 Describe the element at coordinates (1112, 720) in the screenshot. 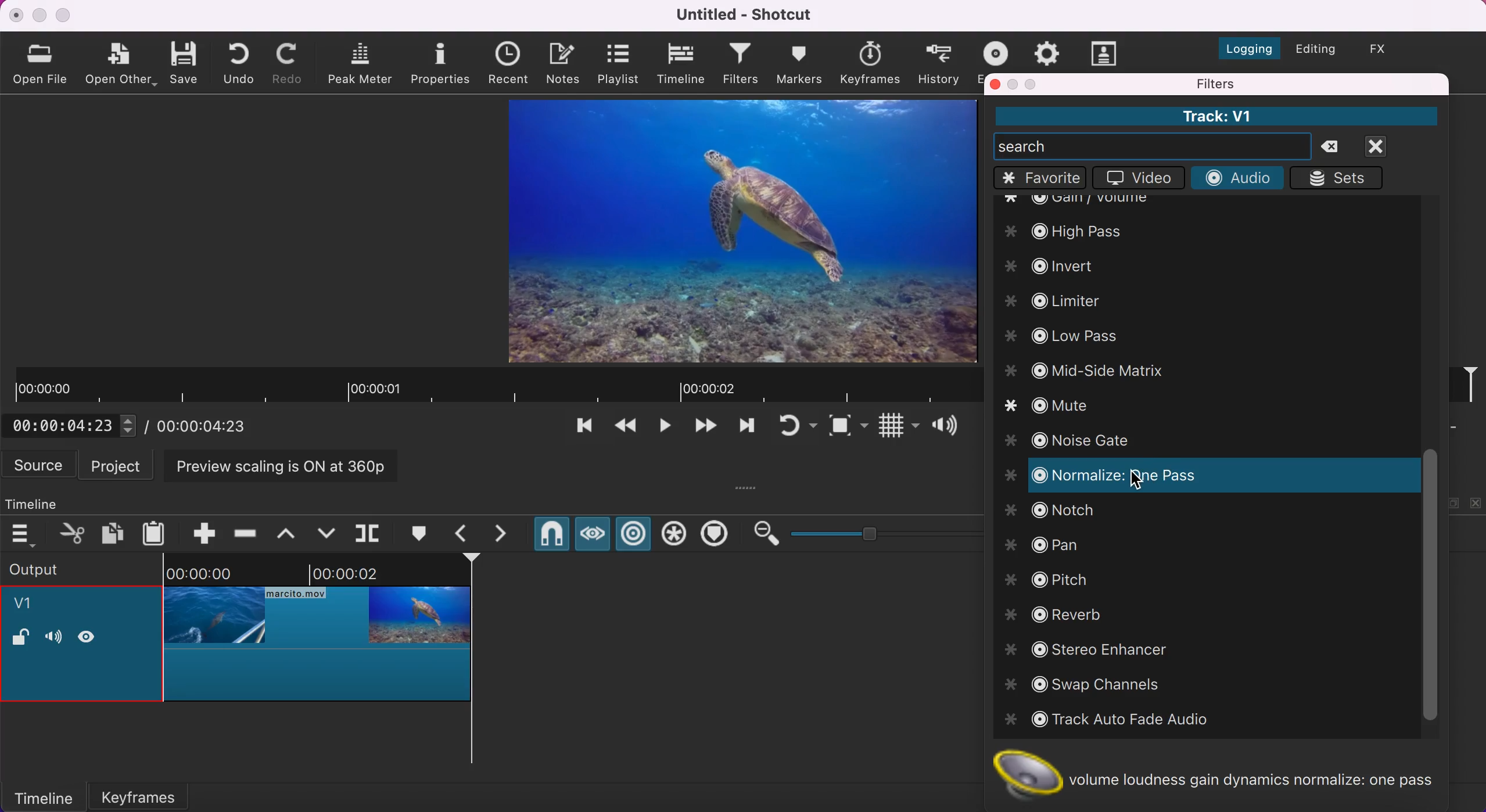

I see `track auto fade audio` at that location.